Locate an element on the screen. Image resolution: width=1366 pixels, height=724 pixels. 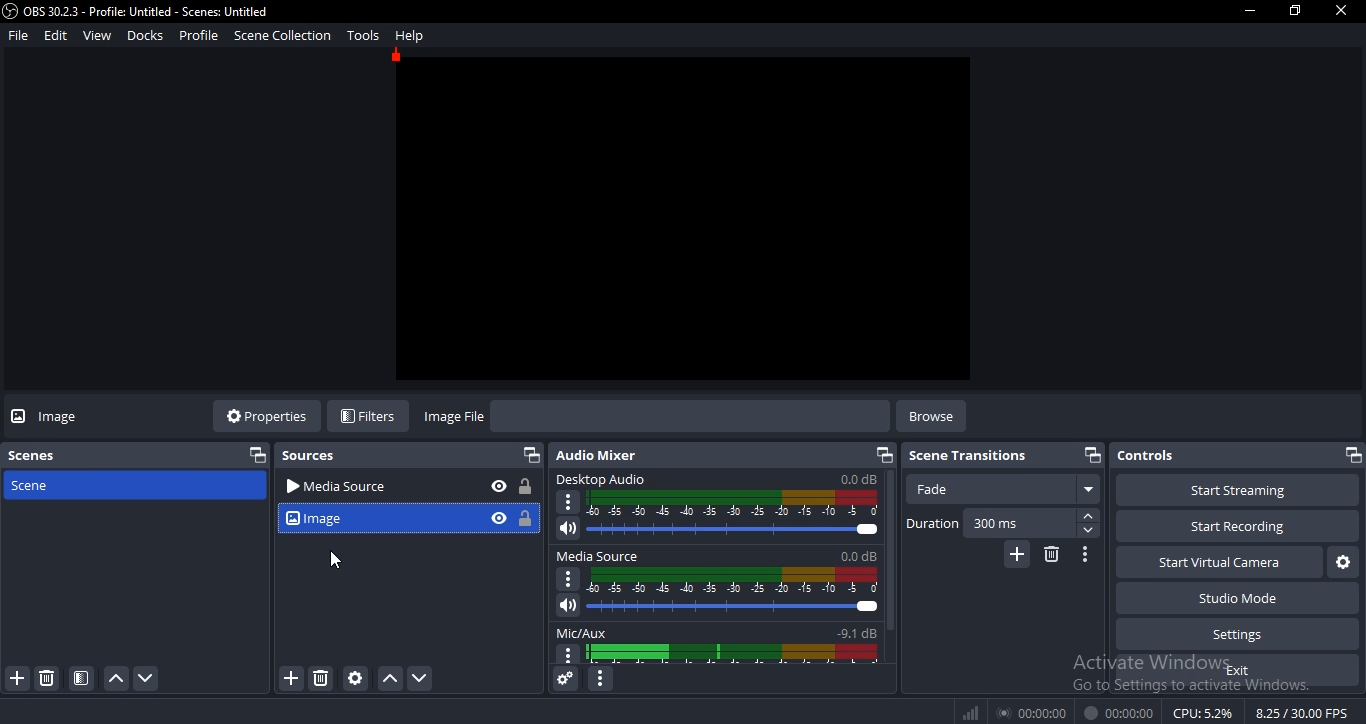
configure source settings is located at coordinates (354, 678).